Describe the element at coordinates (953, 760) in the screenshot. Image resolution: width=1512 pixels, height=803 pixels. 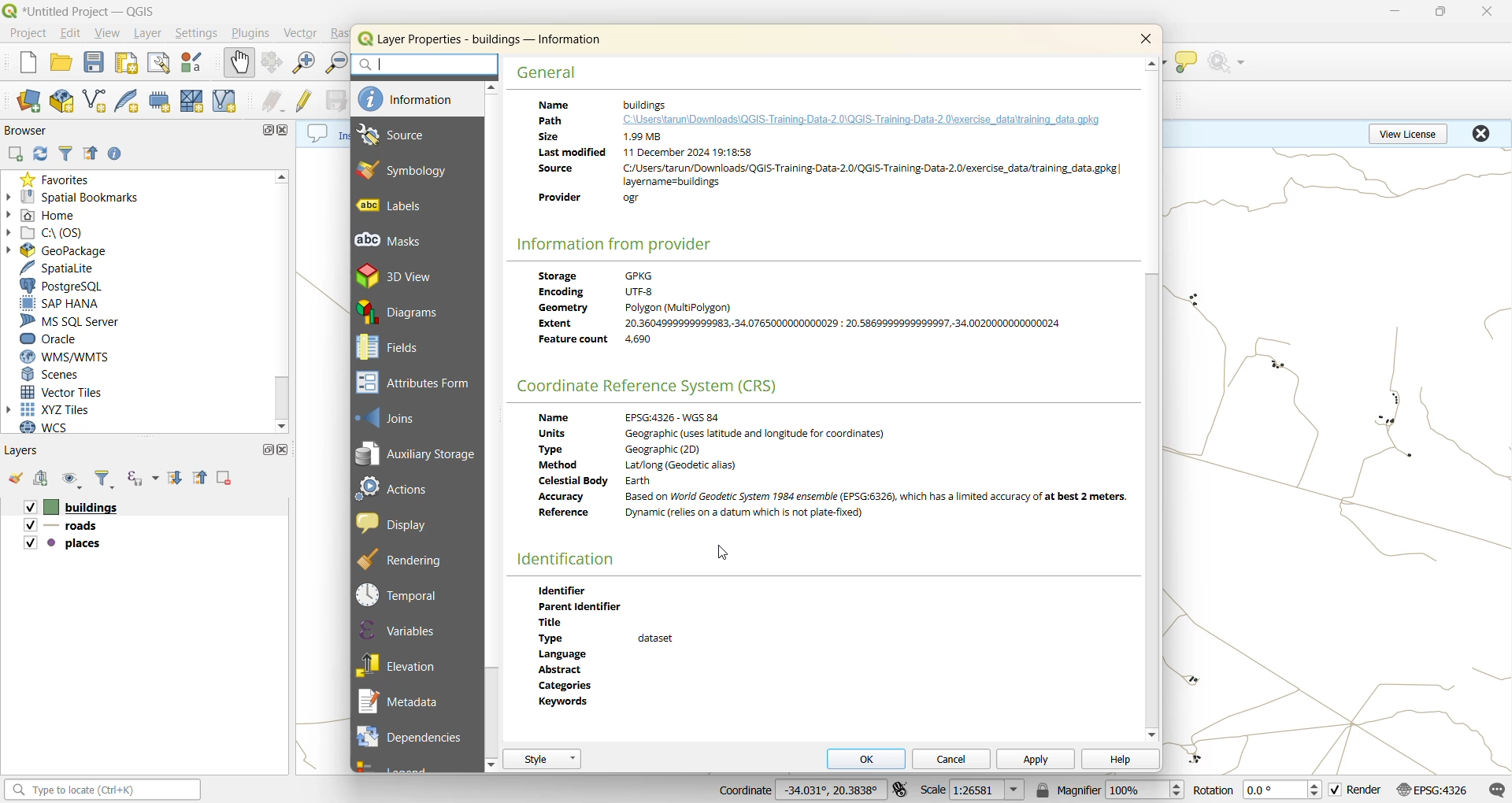
I see `cancel` at that location.